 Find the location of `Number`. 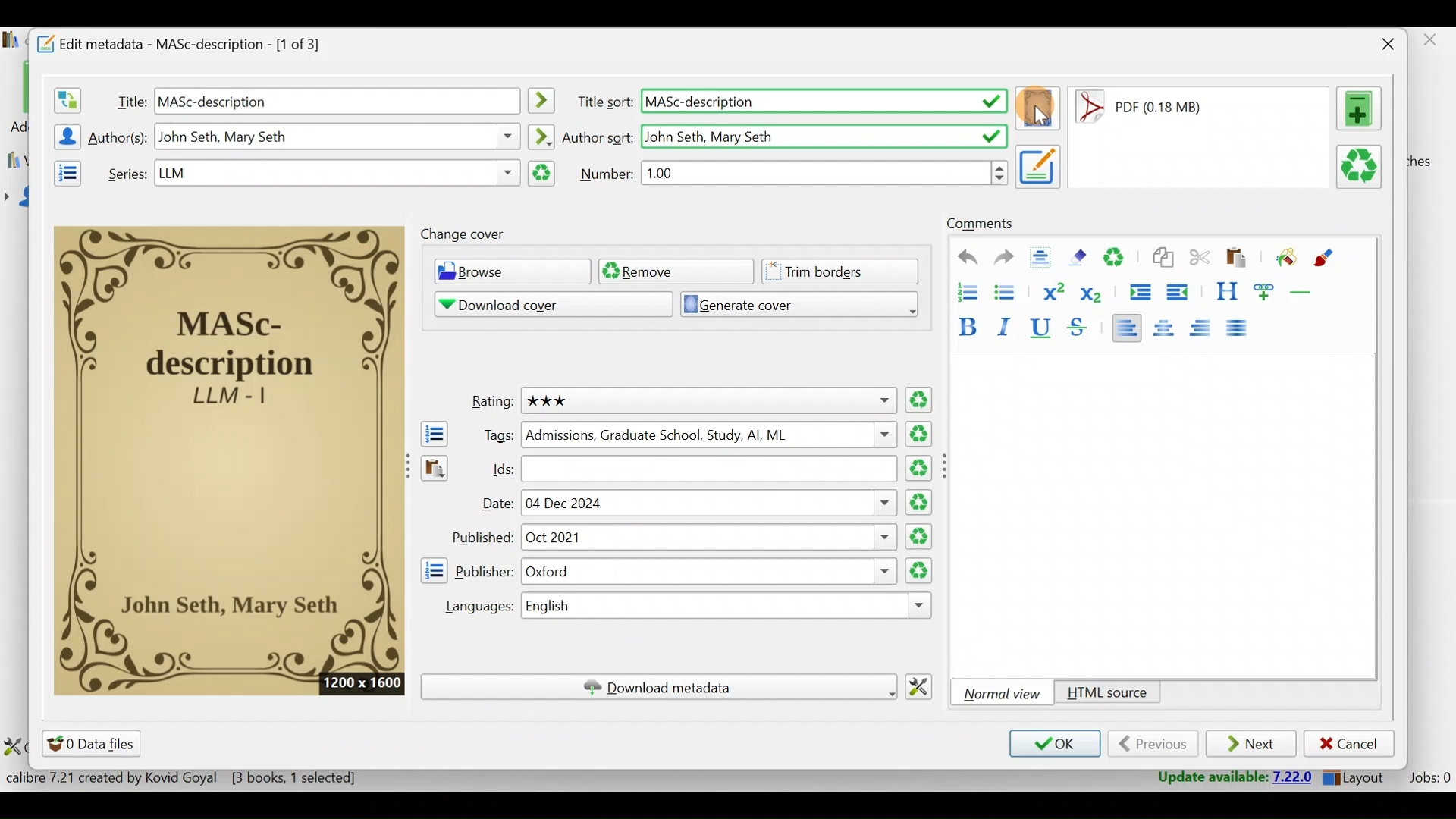

Number is located at coordinates (607, 173).